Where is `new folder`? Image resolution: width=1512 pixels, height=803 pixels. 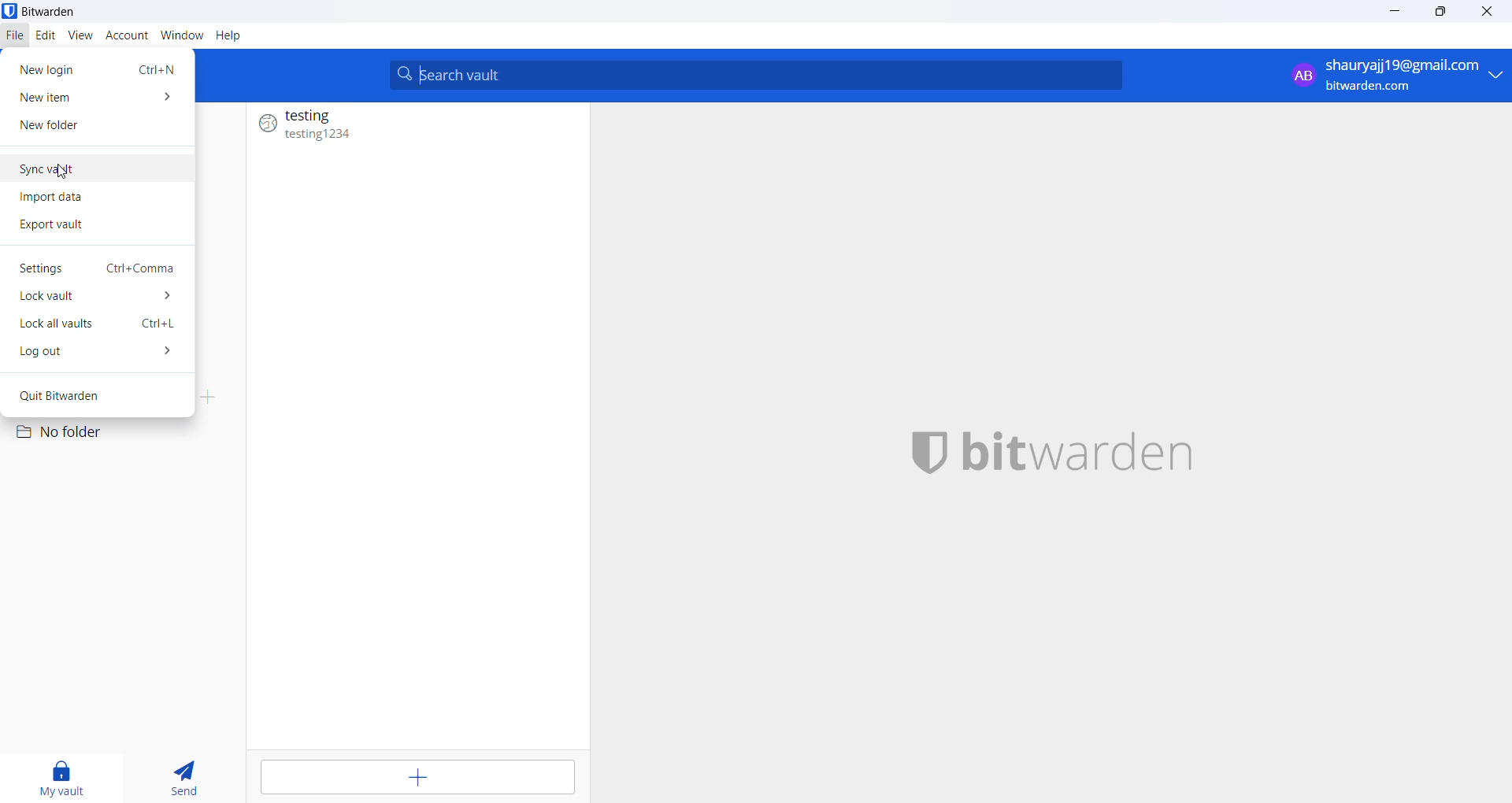 new folder is located at coordinates (95, 126).